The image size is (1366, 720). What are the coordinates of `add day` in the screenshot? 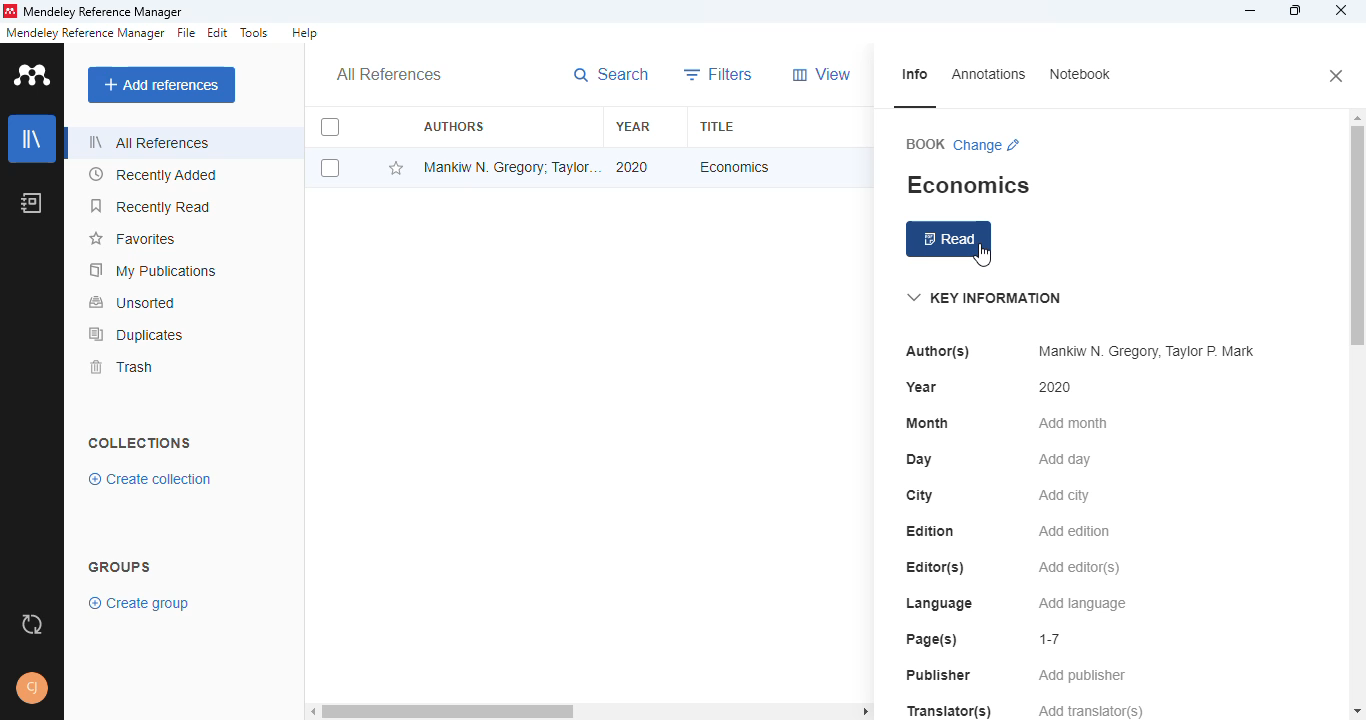 It's located at (1065, 460).